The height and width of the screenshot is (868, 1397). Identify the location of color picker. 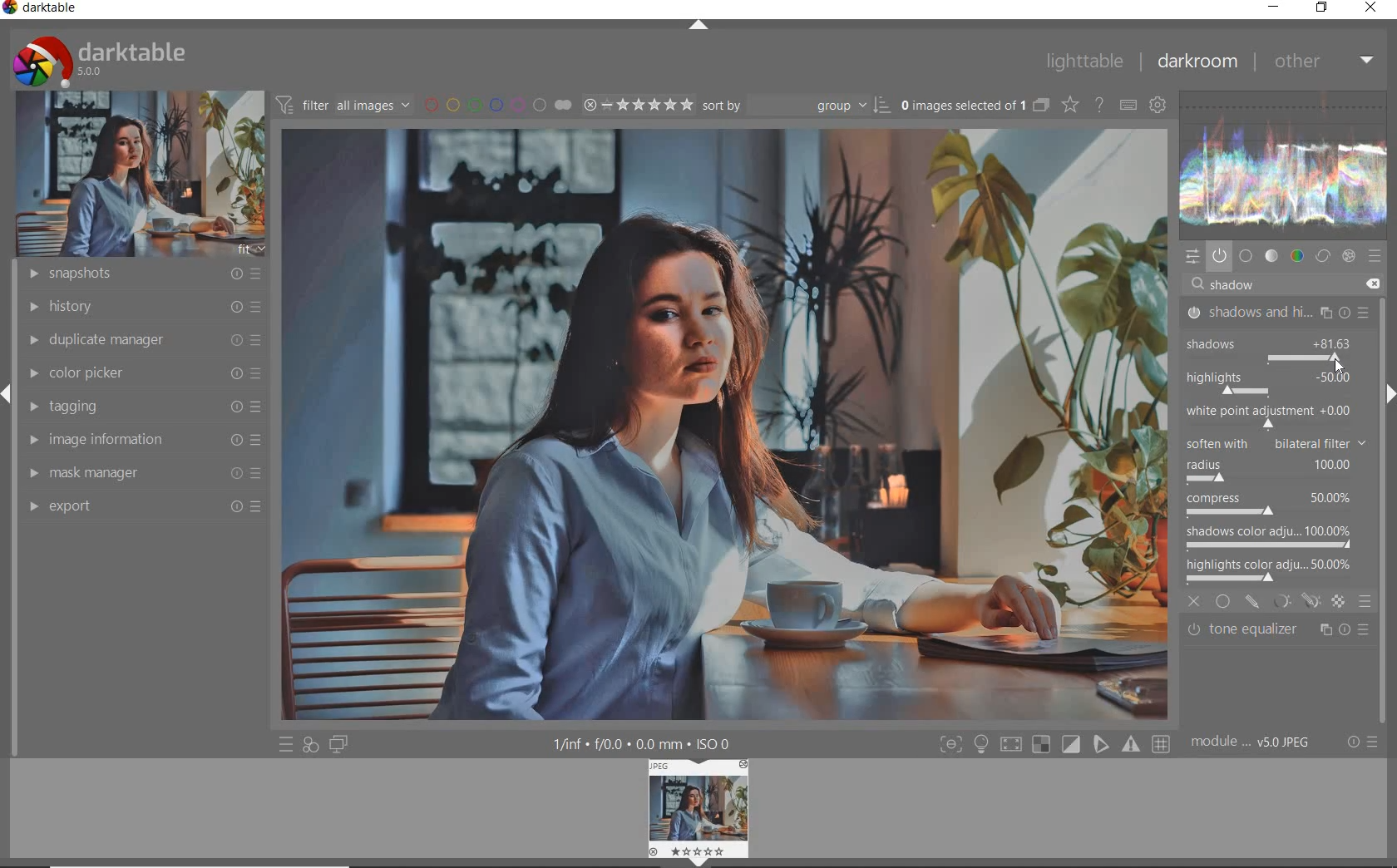
(143, 373).